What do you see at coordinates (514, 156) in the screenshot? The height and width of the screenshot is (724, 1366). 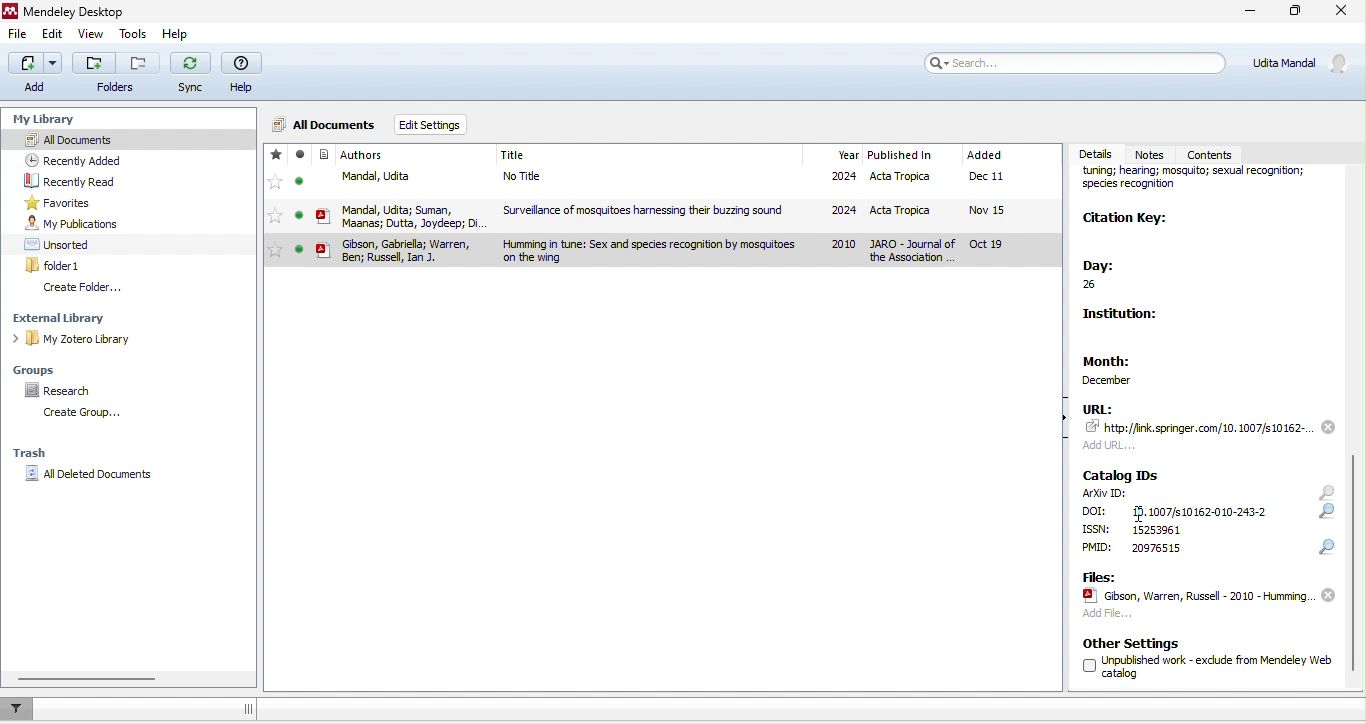 I see `journal title` at bounding box center [514, 156].